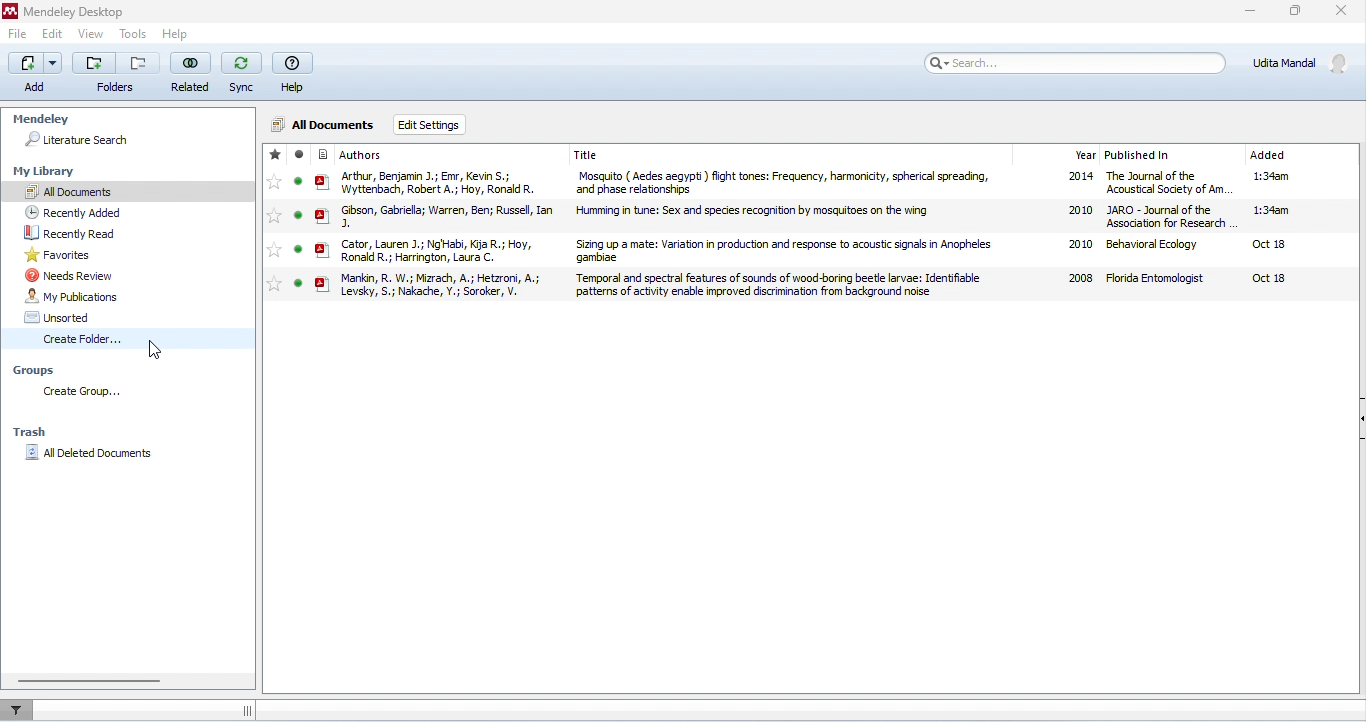 Image resolution: width=1366 pixels, height=722 pixels. What do you see at coordinates (1252, 13) in the screenshot?
I see `minimize` at bounding box center [1252, 13].